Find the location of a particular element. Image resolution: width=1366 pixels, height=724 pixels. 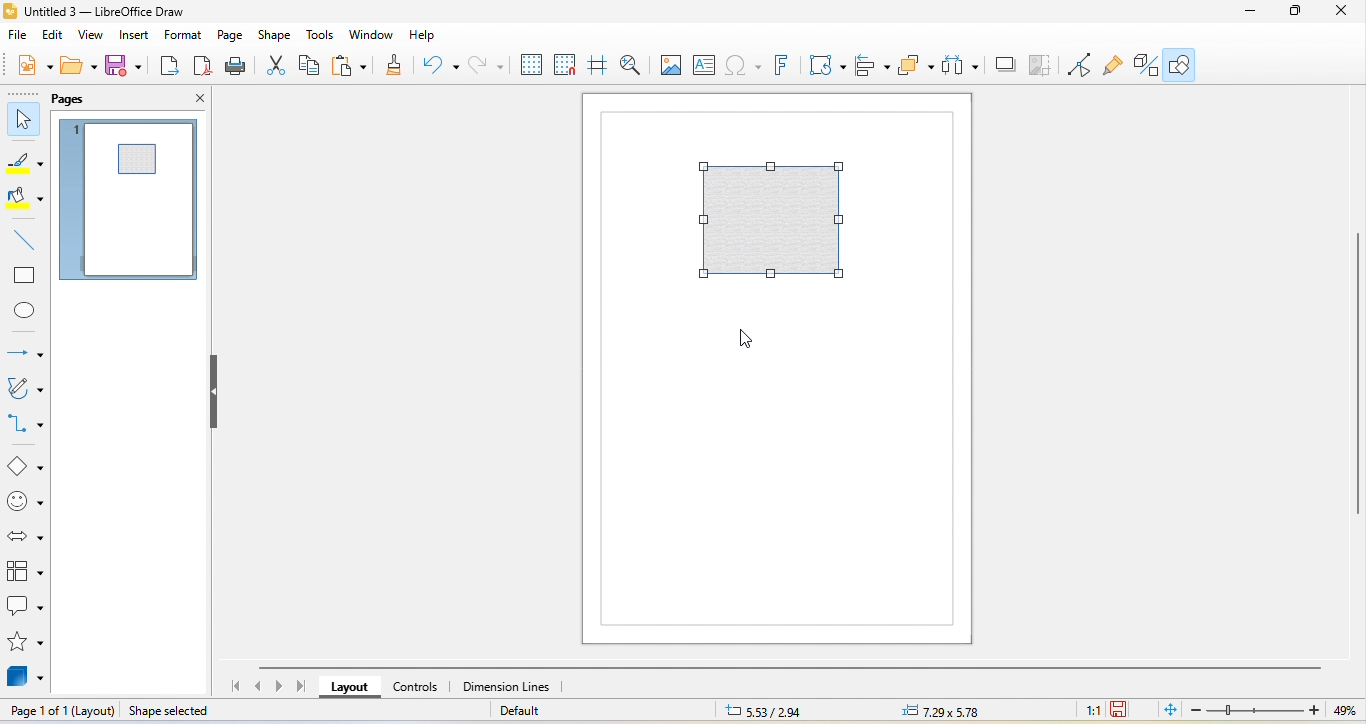

controls is located at coordinates (422, 689).